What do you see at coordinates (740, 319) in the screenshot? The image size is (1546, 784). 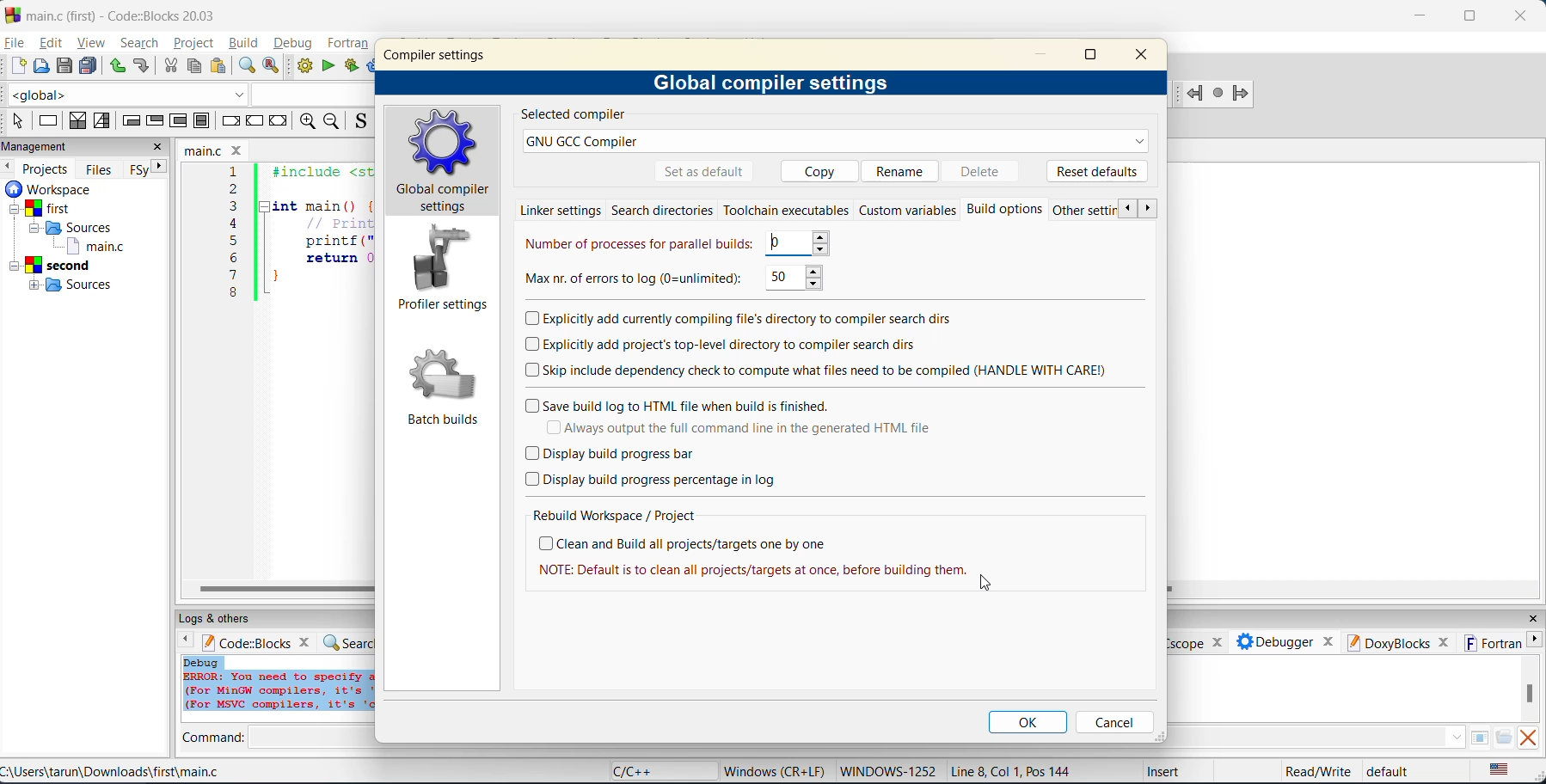 I see `explicitly add currently compiling file's directory to compiler search dirs` at bounding box center [740, 319].